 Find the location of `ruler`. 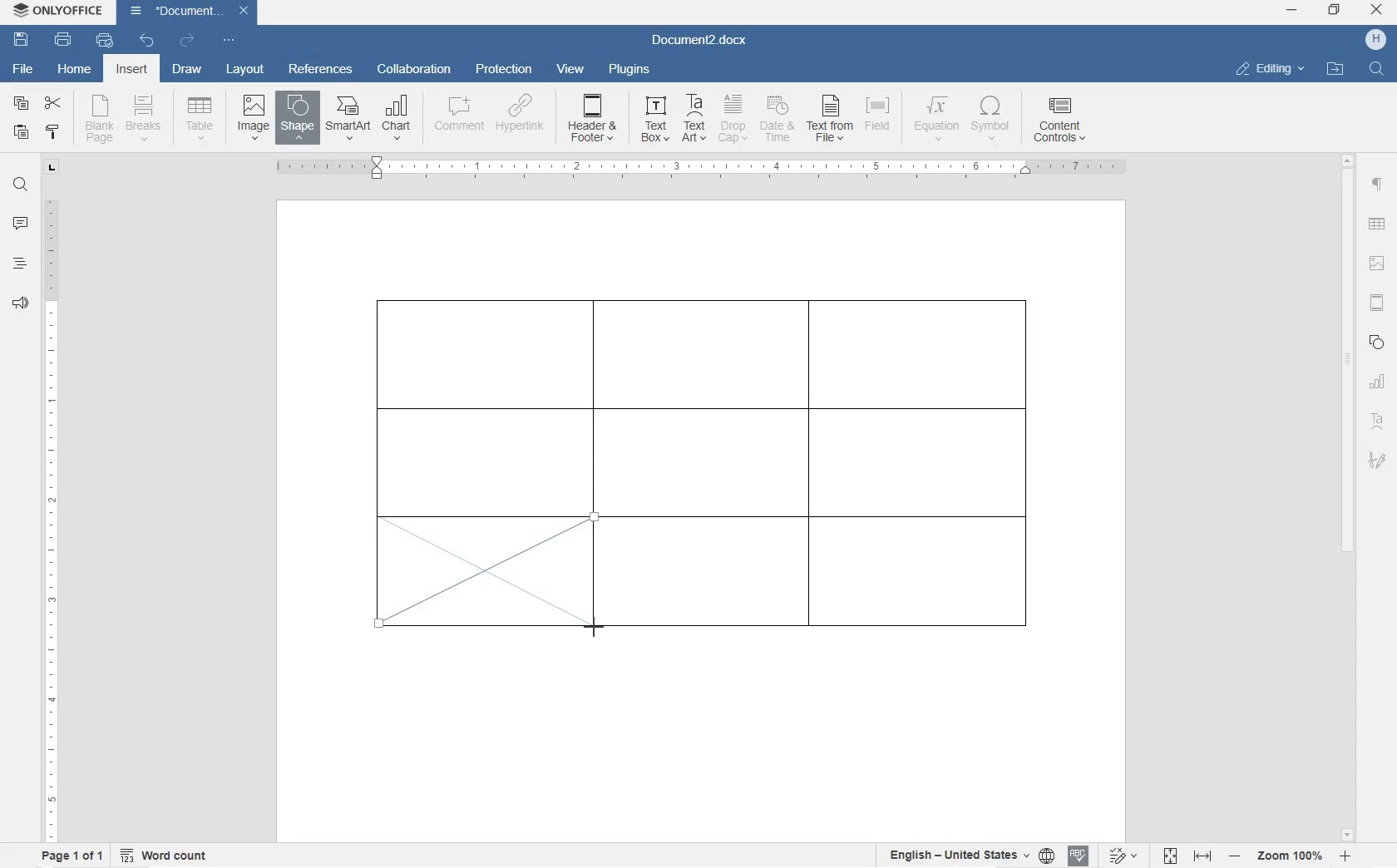

ruler is located at coordinates (708, 170).